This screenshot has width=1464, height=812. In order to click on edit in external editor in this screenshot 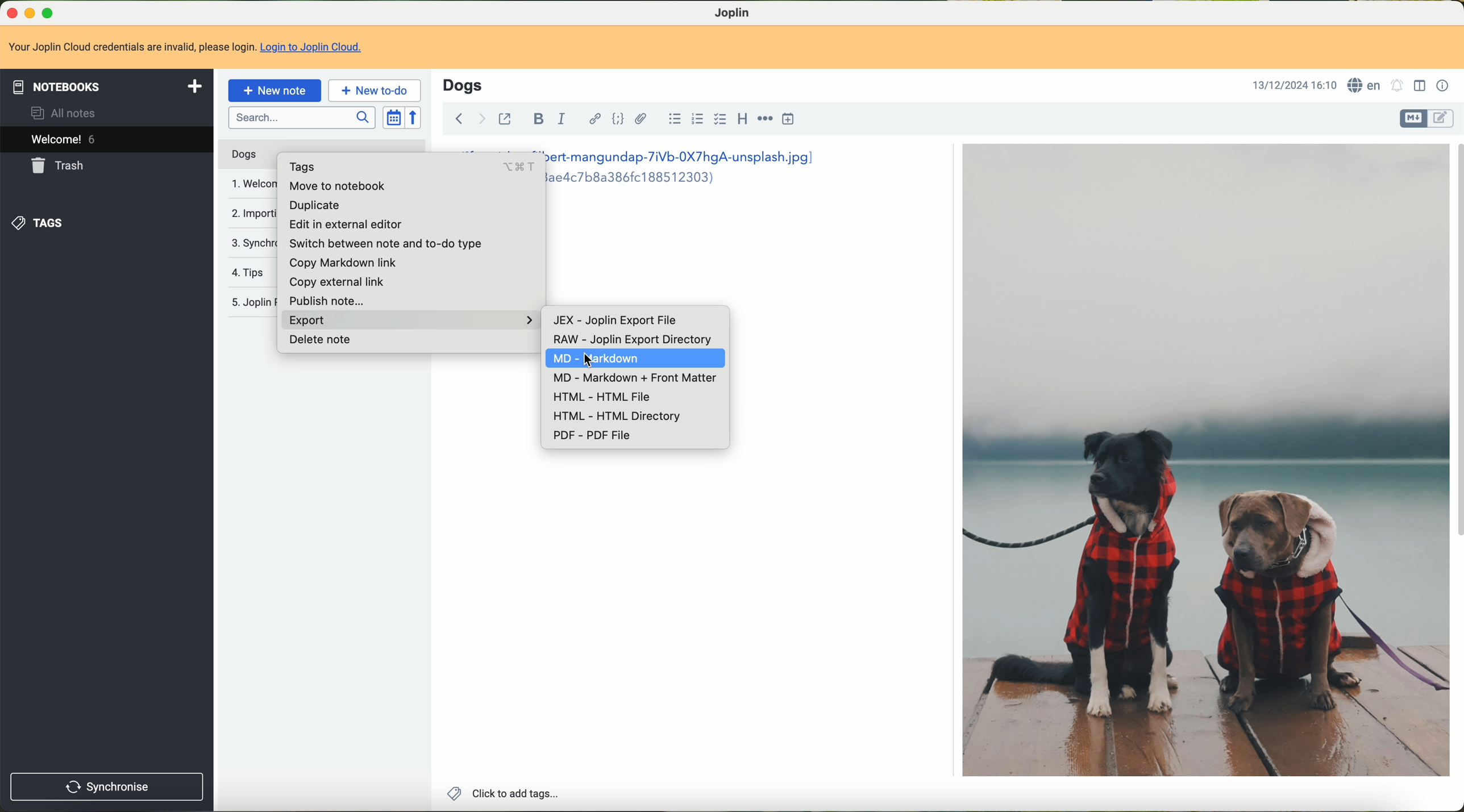, I will do `click(350, 226)`.